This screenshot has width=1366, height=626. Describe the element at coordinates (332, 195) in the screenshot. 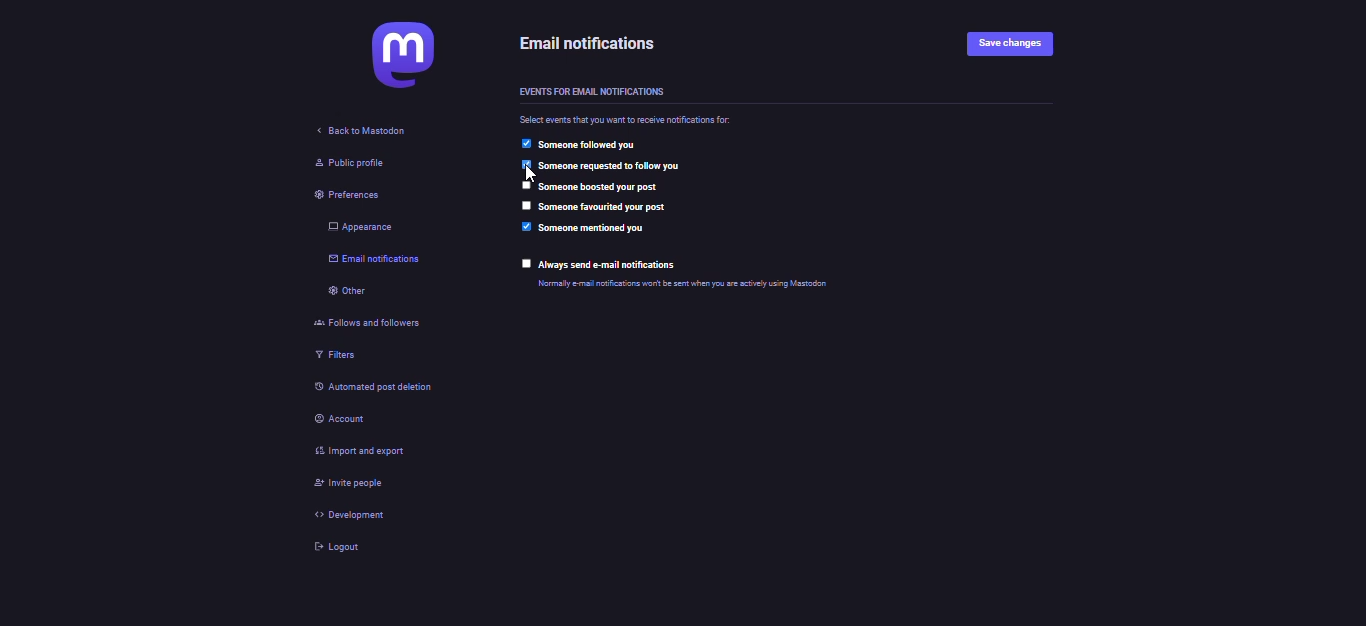

I see `preferences` at that location.